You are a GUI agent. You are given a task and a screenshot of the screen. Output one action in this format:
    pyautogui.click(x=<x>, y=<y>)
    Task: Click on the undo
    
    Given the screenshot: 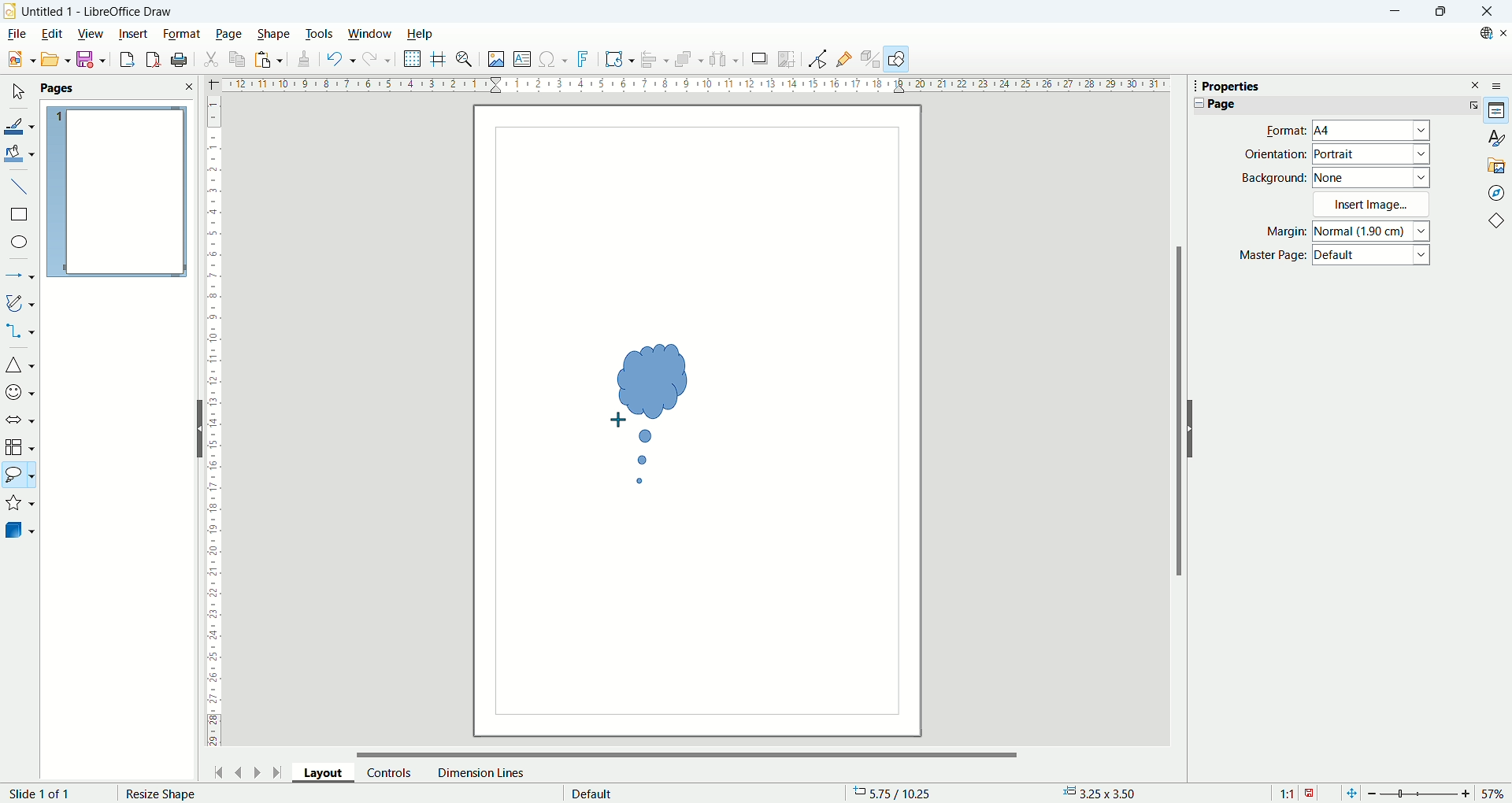 What is the action you would take?
    pyautogui.click(x=338, y=59)
    